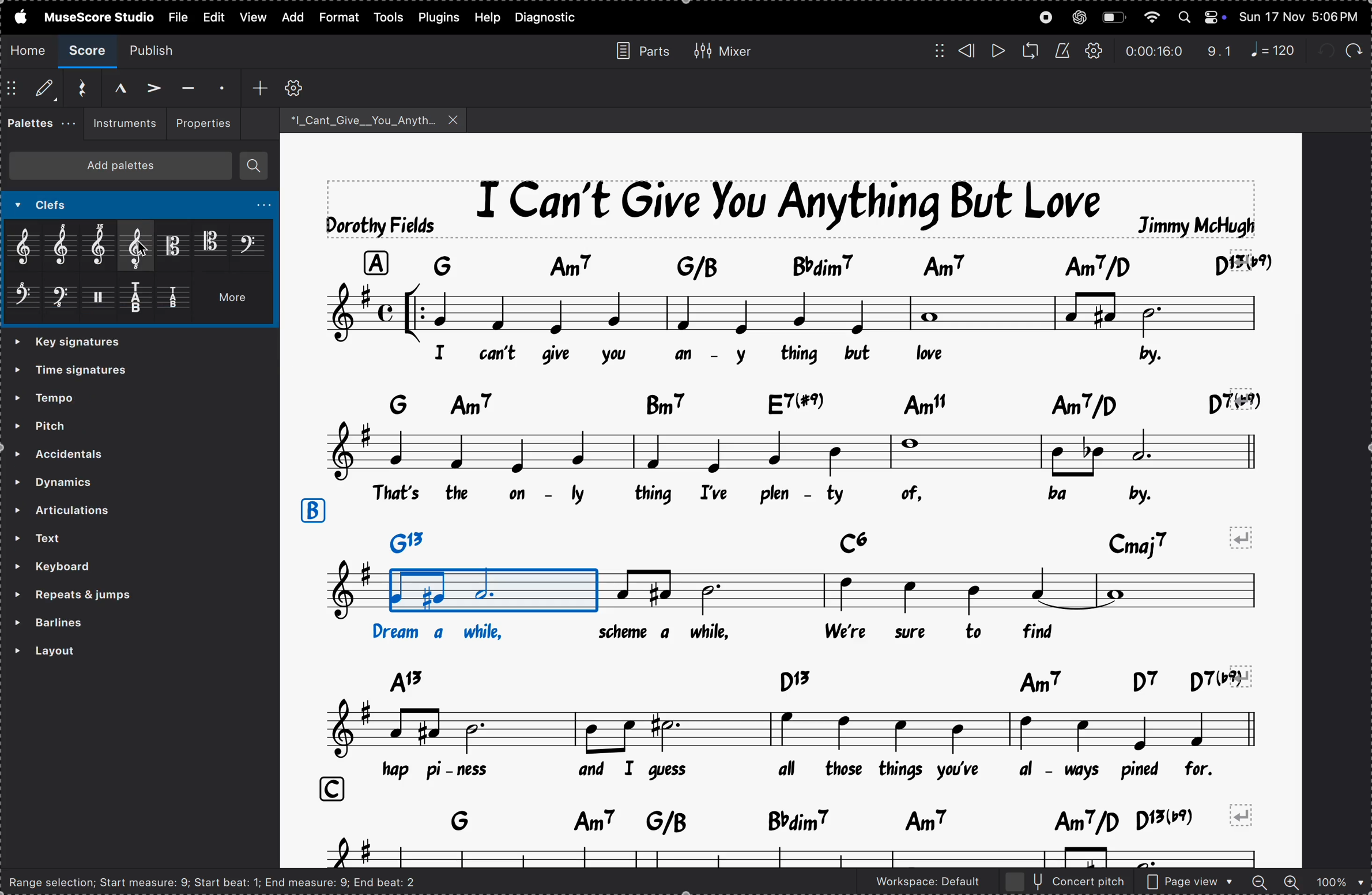 The image size is (1372, 895). What do you see at coordinates (1307, 883) in the screenshot?
I see `zoom in and out` at bounding box center [1307, 883].